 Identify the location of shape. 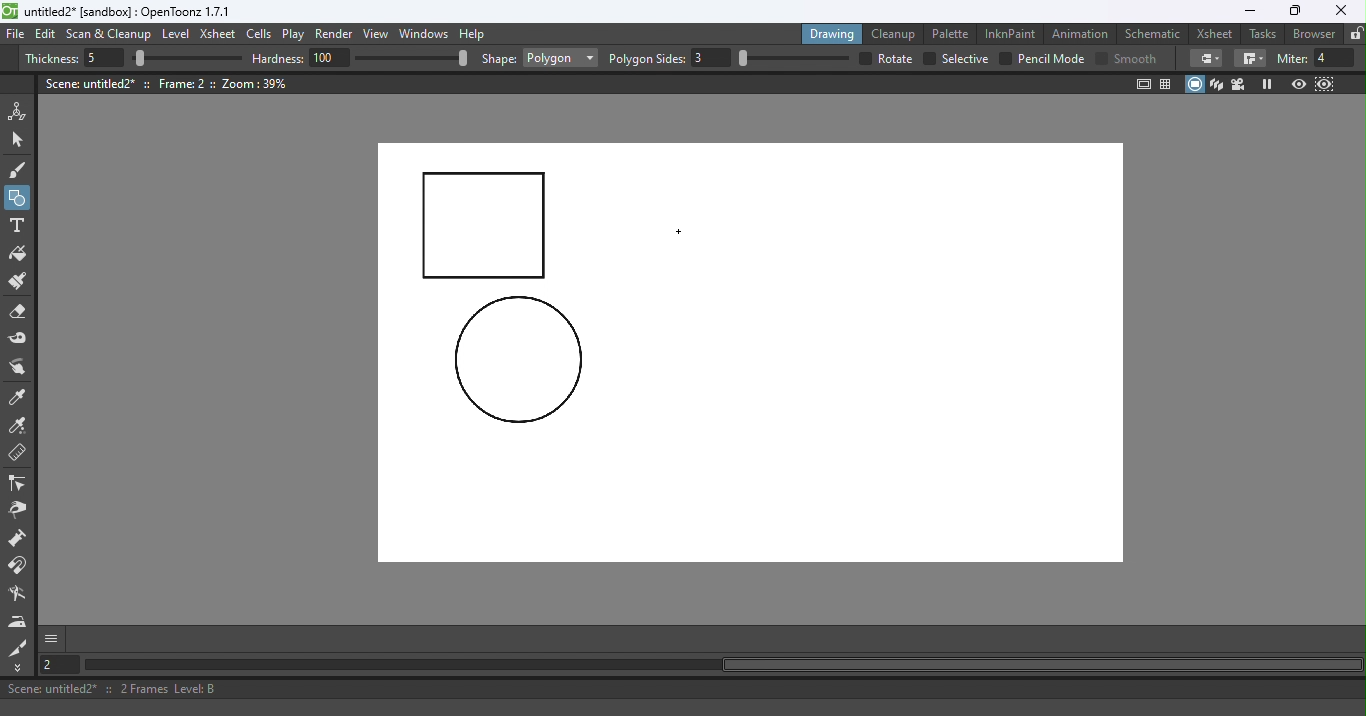
(499, 60).